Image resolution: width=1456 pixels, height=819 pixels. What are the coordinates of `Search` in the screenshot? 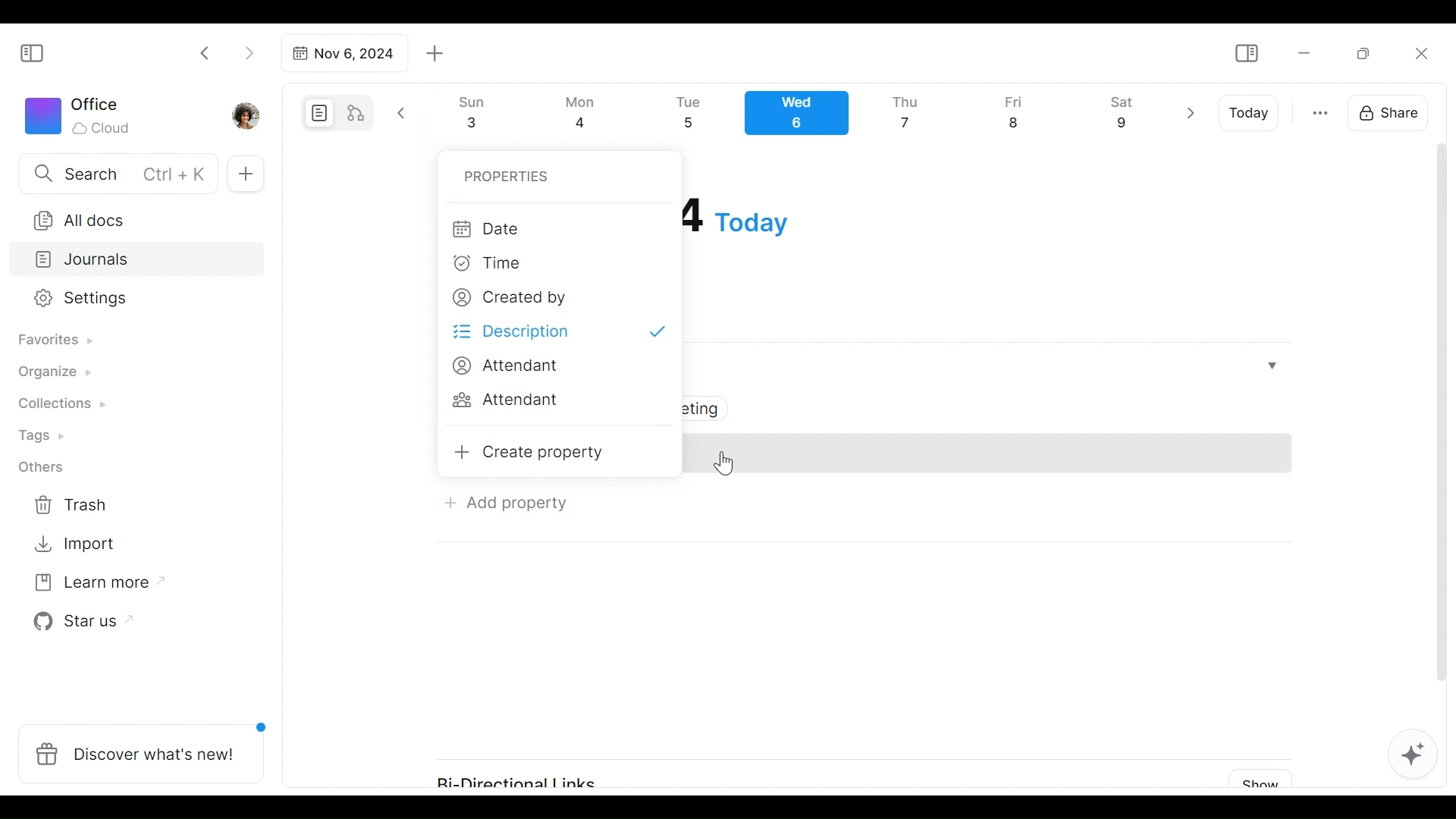 It's located at (116, 173).